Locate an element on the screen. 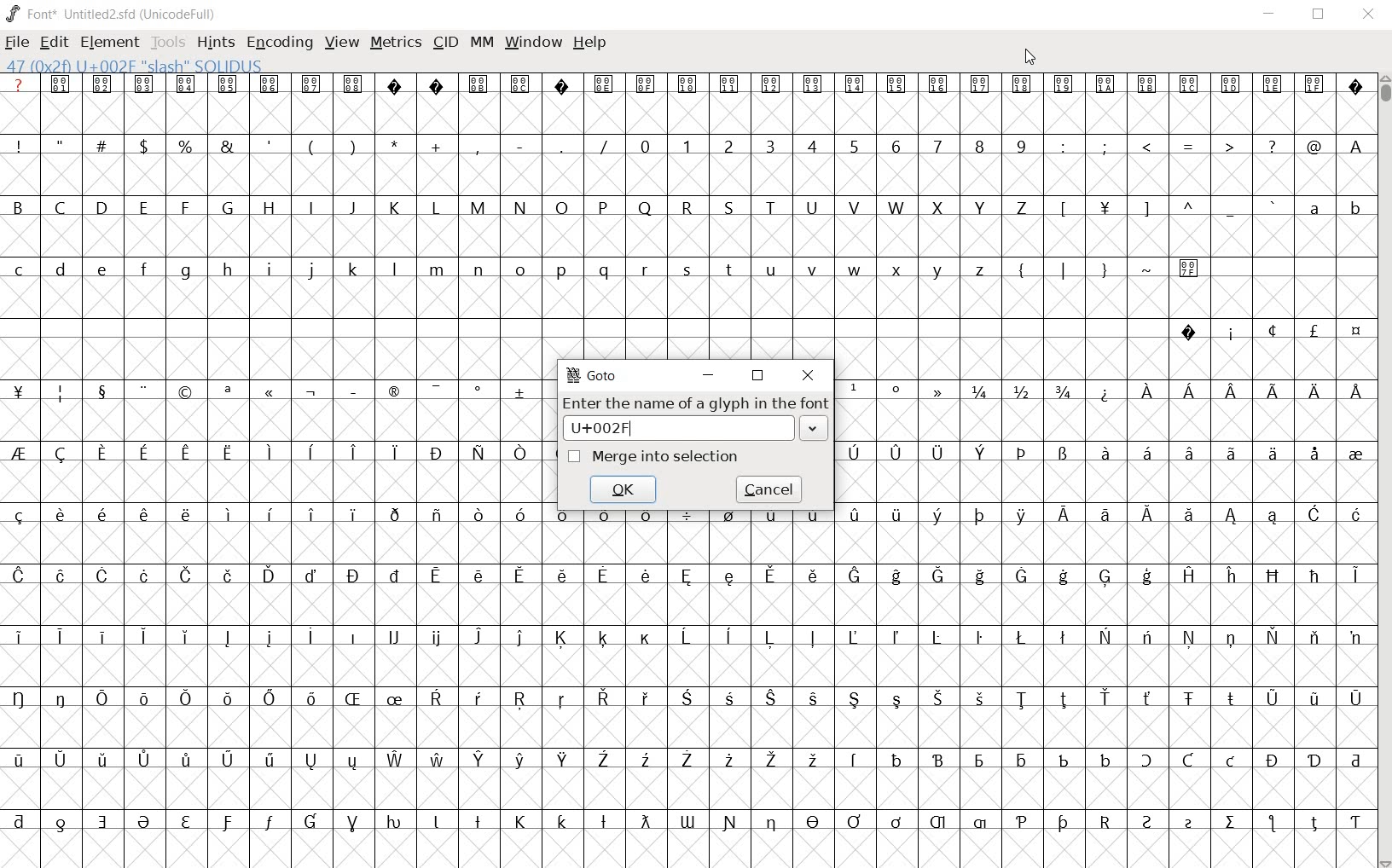 Image resolution: width=1392 pixels, height=868 pixels. FILE is located at coordinates (19, 43).